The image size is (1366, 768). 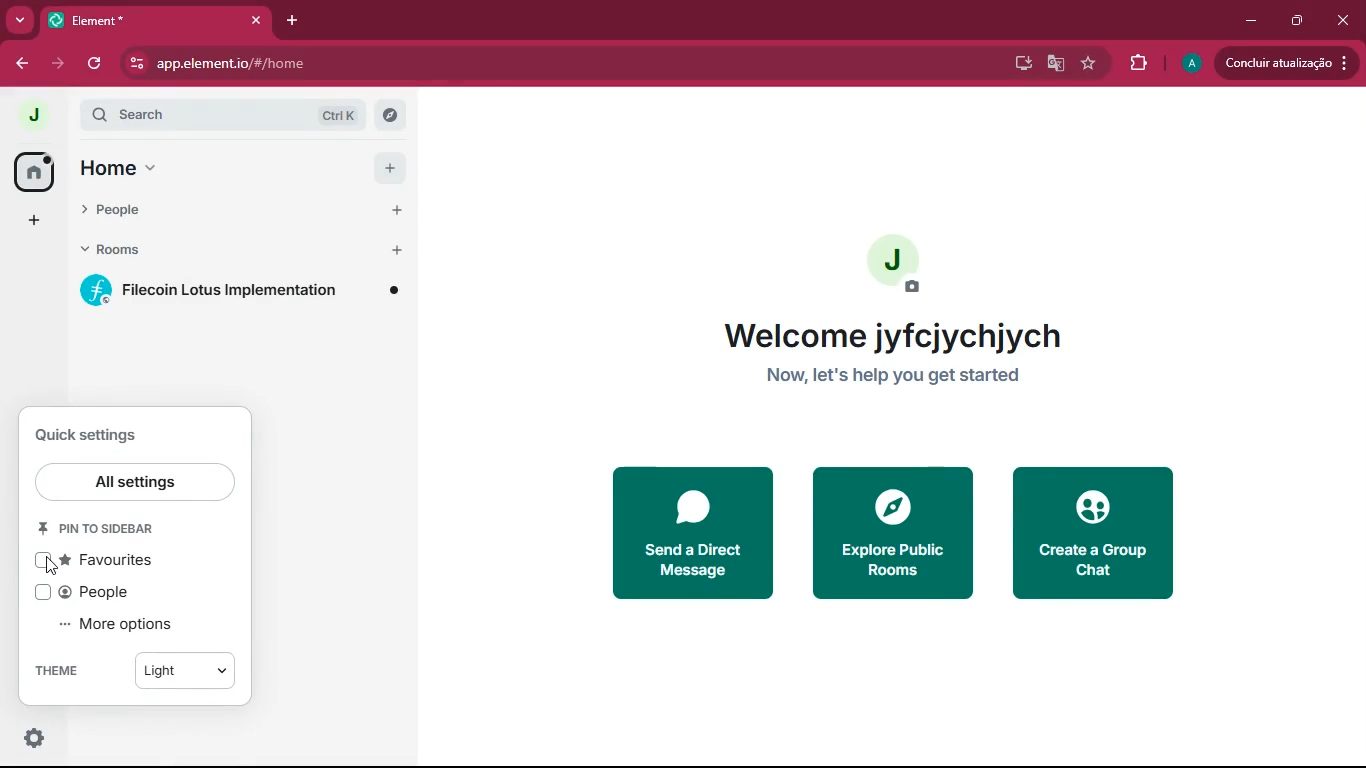 I want to click on maximize, so click(x=1297, y=22).